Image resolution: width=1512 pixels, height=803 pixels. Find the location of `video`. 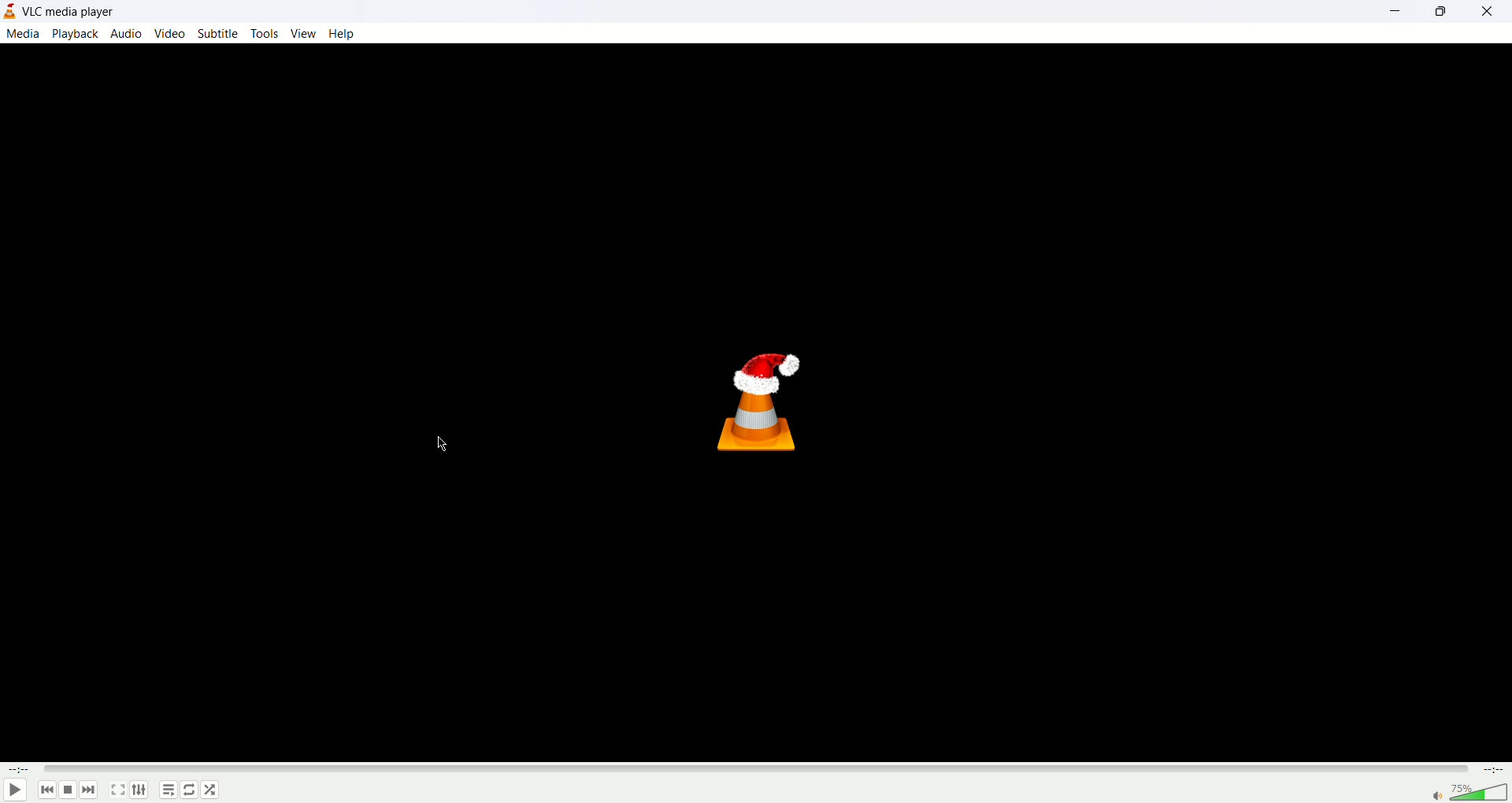

video is located at coordinates (172, 34).